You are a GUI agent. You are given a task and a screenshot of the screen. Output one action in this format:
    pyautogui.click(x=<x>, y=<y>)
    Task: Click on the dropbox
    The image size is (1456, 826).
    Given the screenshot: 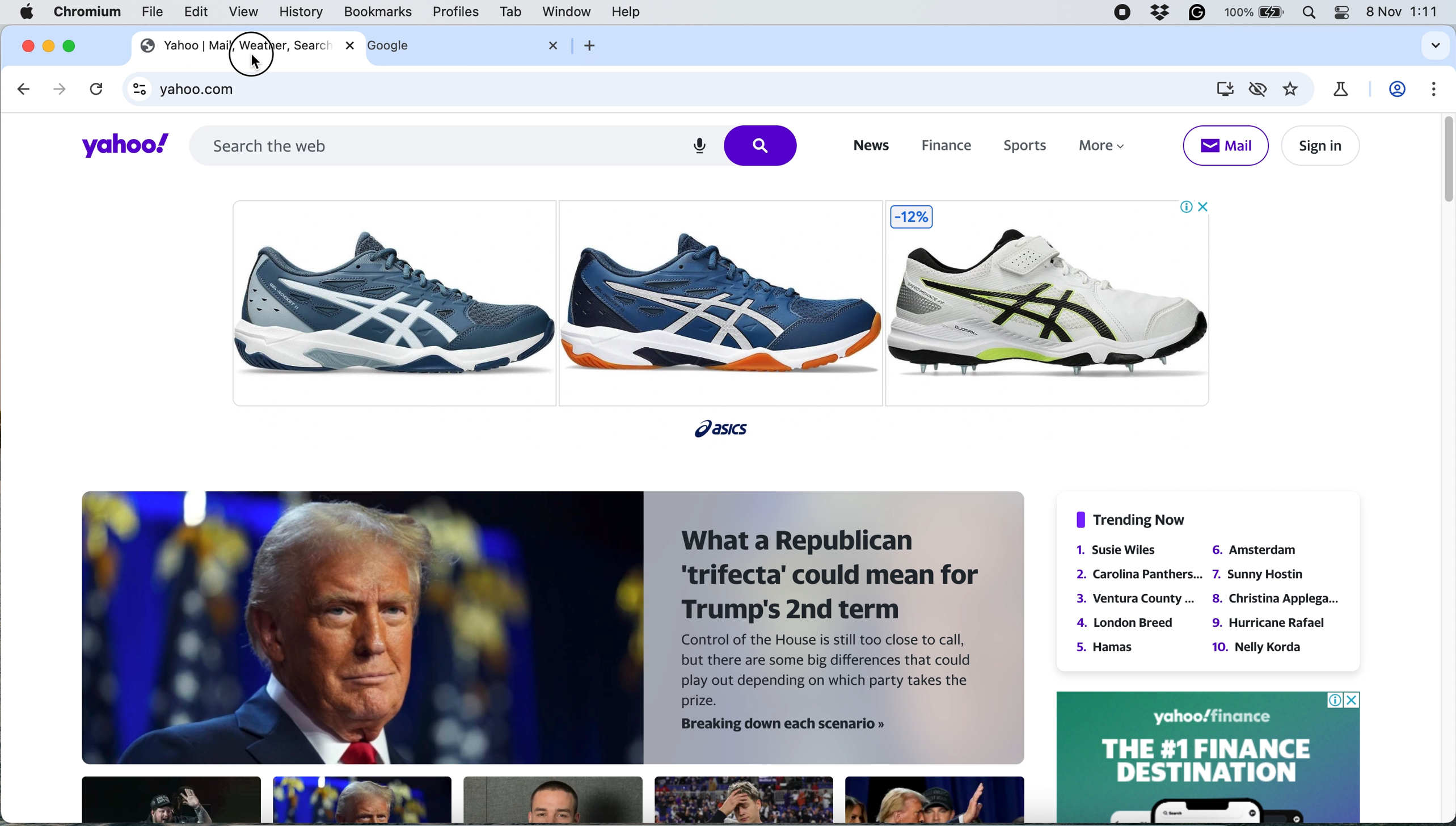 What is the action you would take?
    pyautogui.click(x=1162, y=14)
    